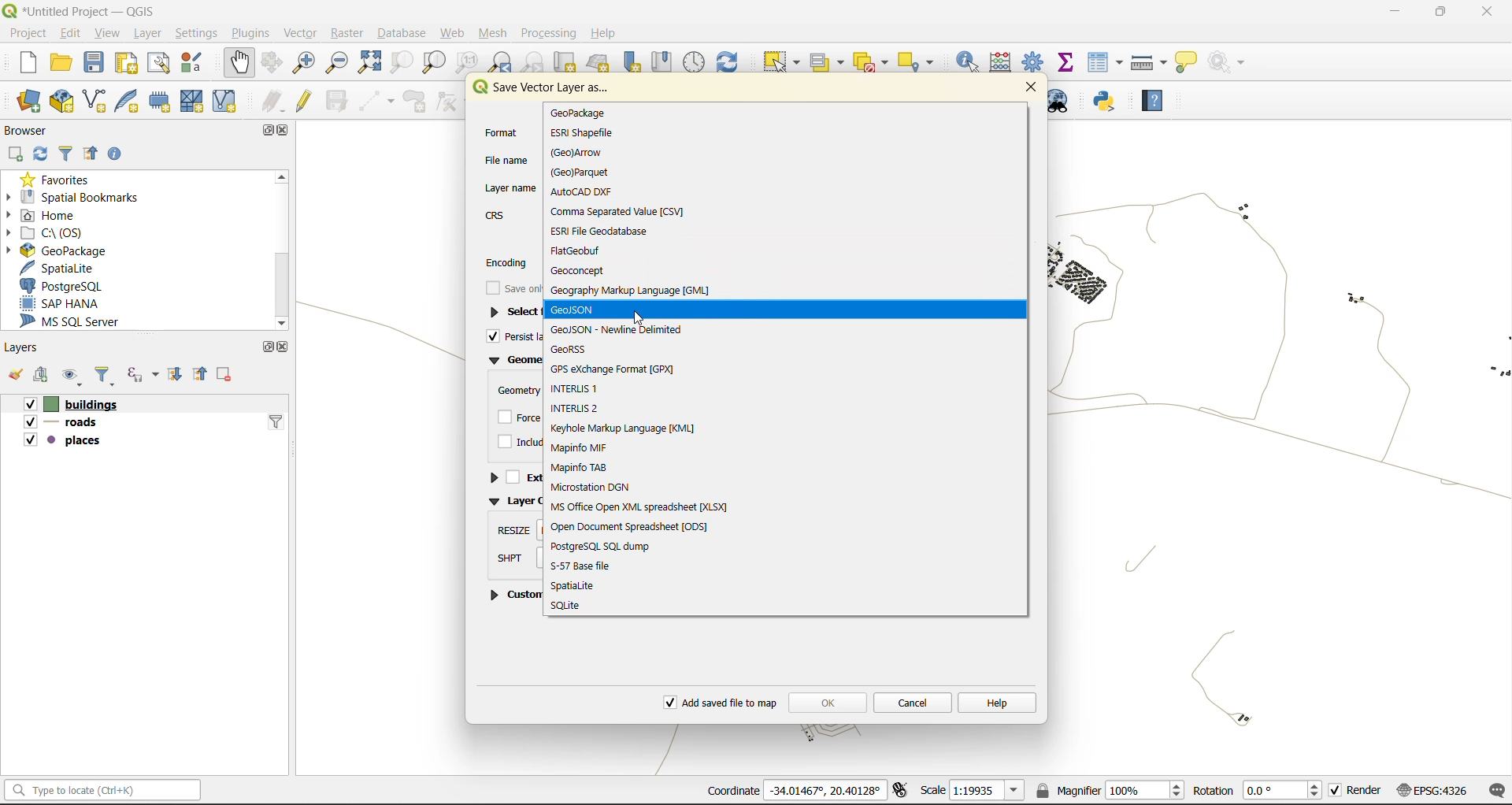  Describe the element at coordinates (972, 62) in the screenshot. I see `identify features` at that location.